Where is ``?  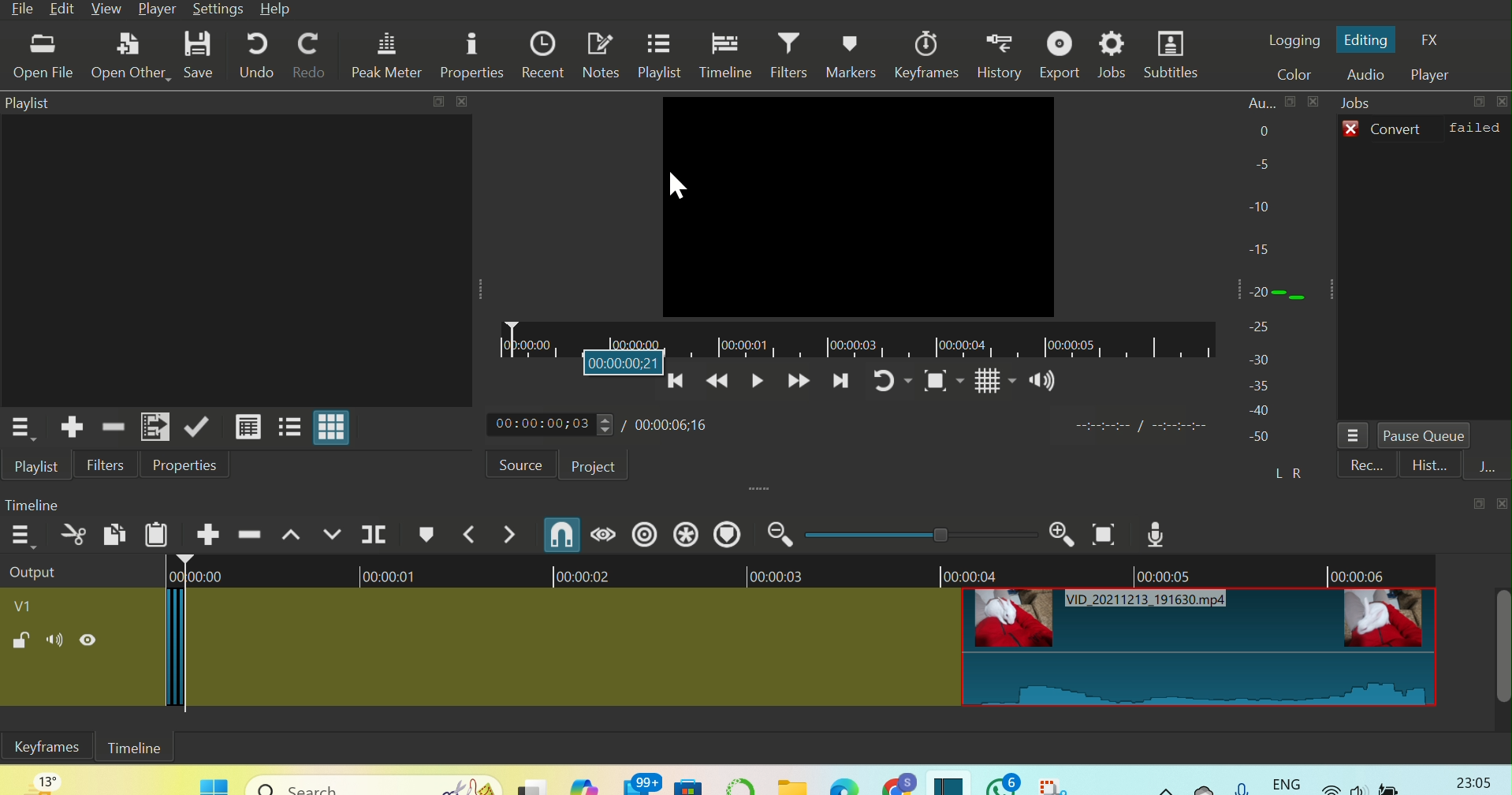  is located at coordinates (463, 103).